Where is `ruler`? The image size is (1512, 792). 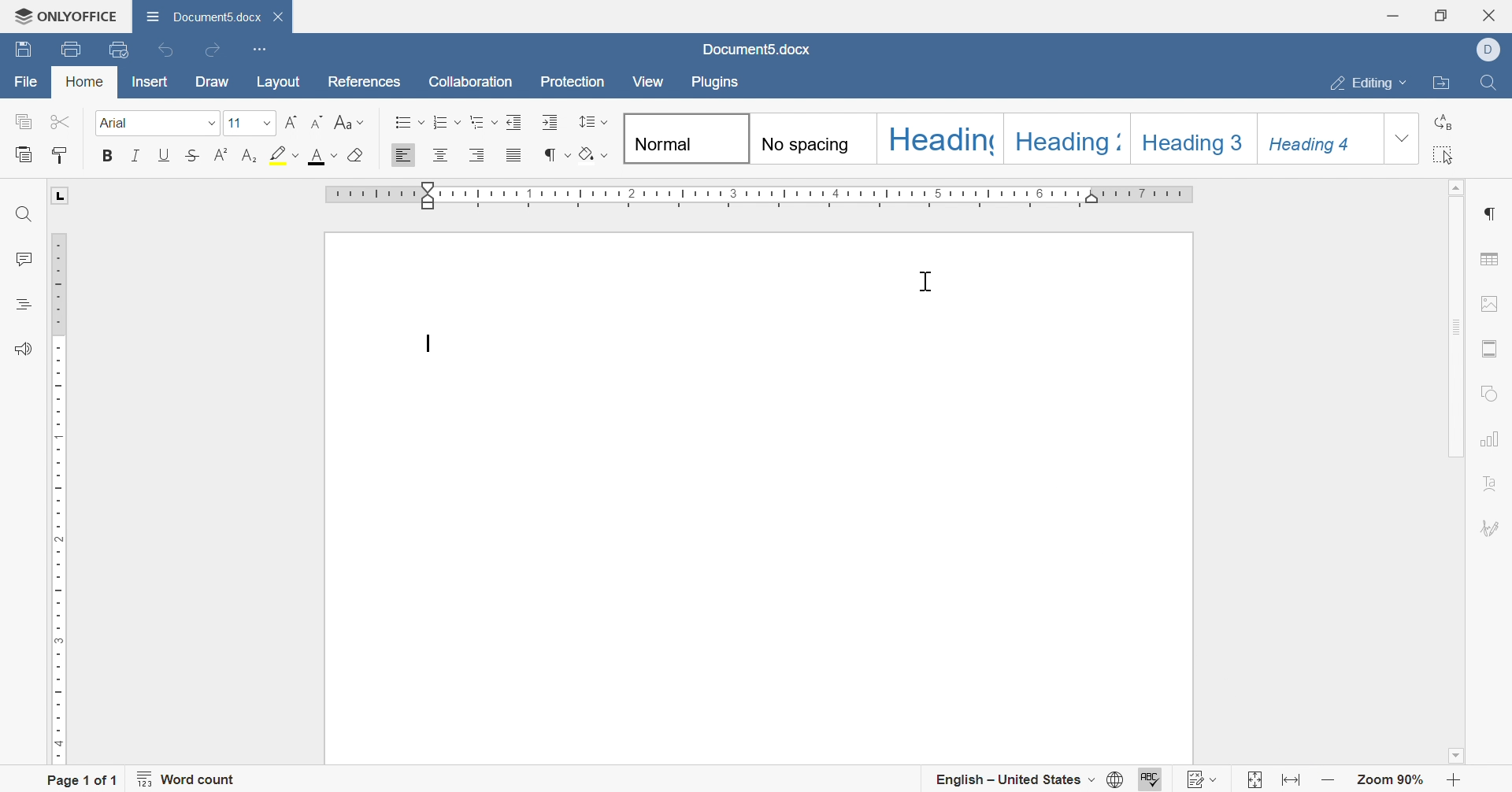
ruler is located at coordinates (57, 498).